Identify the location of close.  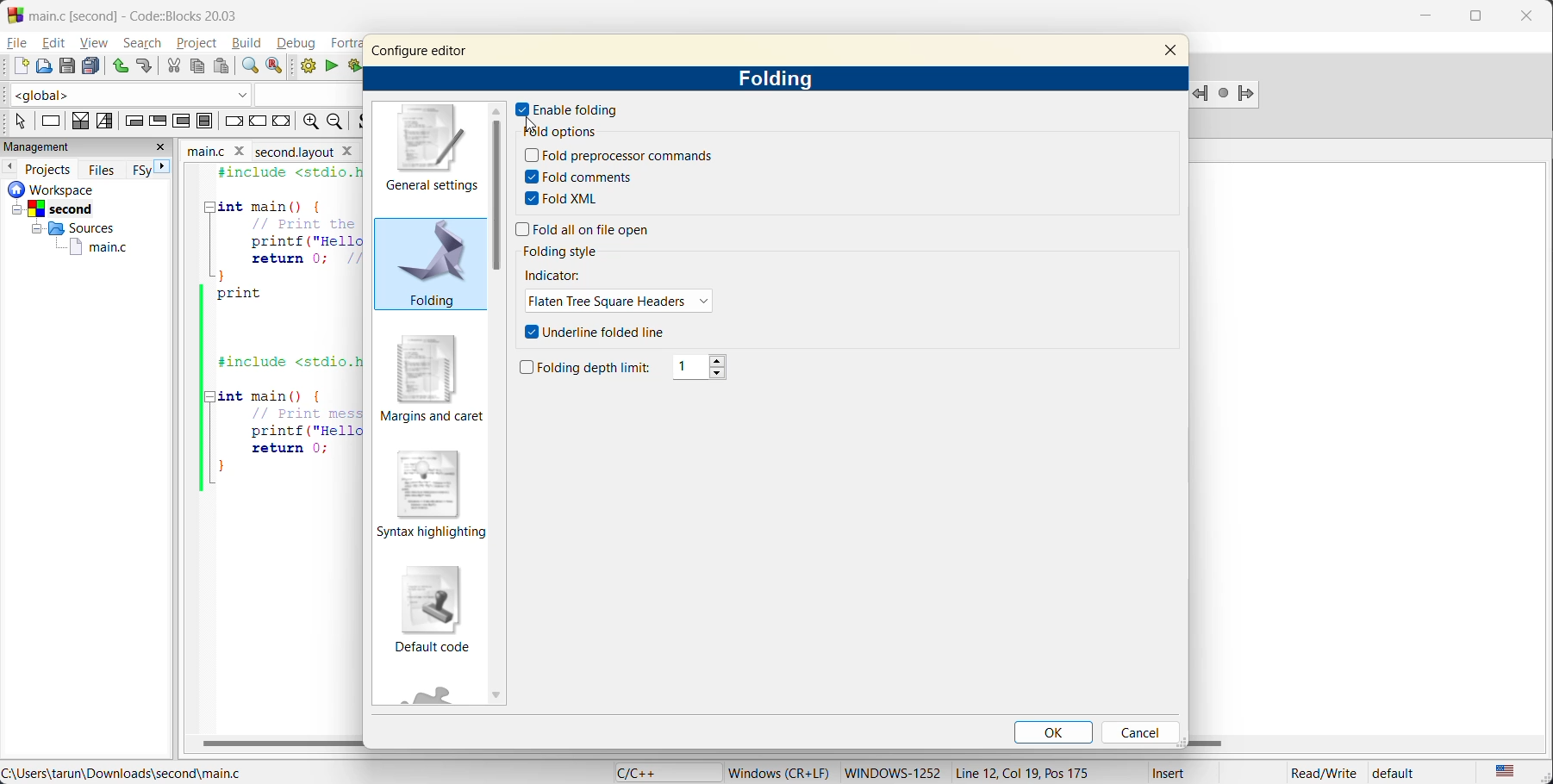
(164, 148).